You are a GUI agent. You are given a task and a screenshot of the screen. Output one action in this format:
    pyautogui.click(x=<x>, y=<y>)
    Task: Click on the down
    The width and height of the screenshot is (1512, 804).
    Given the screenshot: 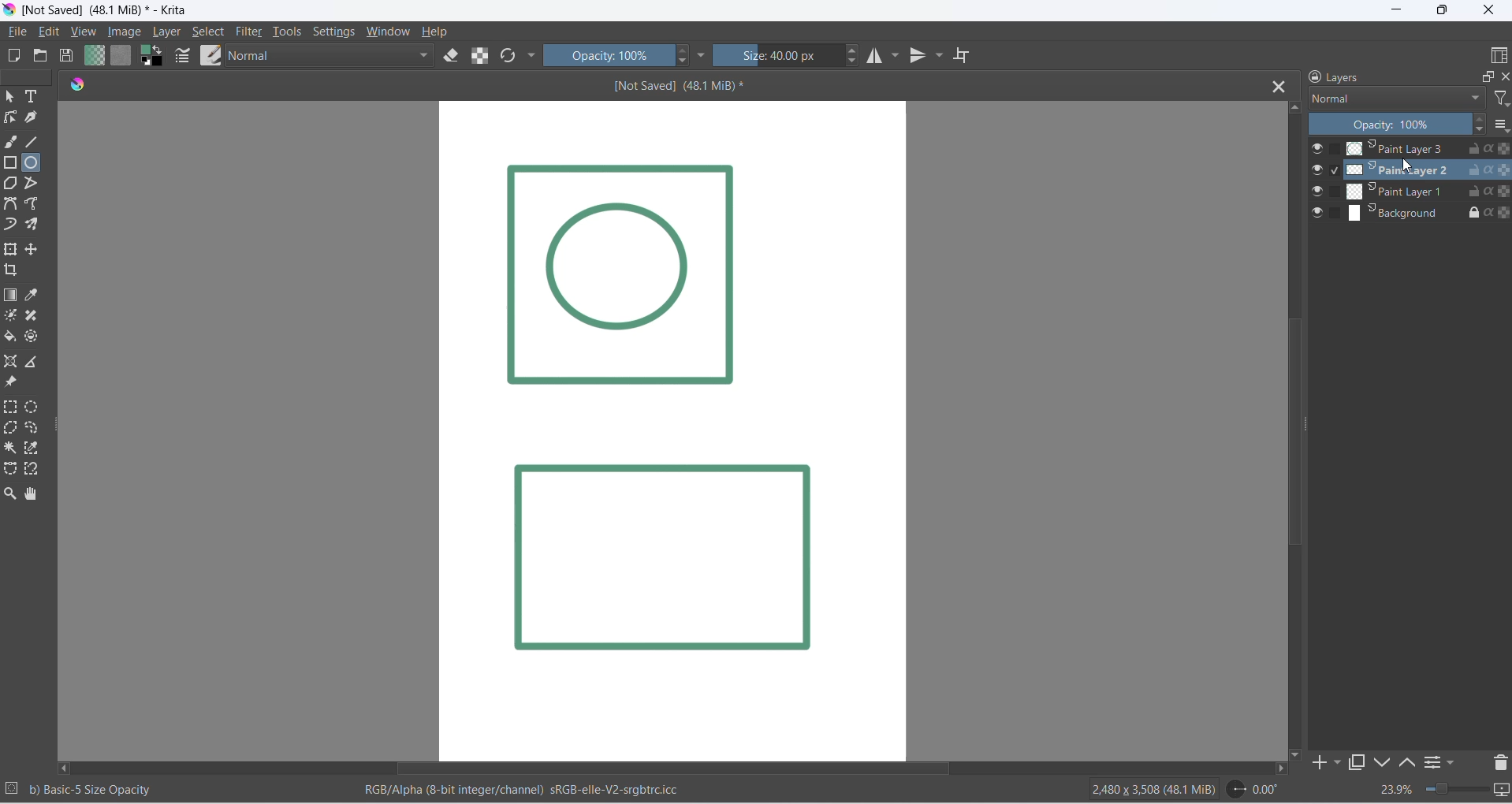 What is the action you would take?
    pyautogui.click(x=1383, y=763)
    